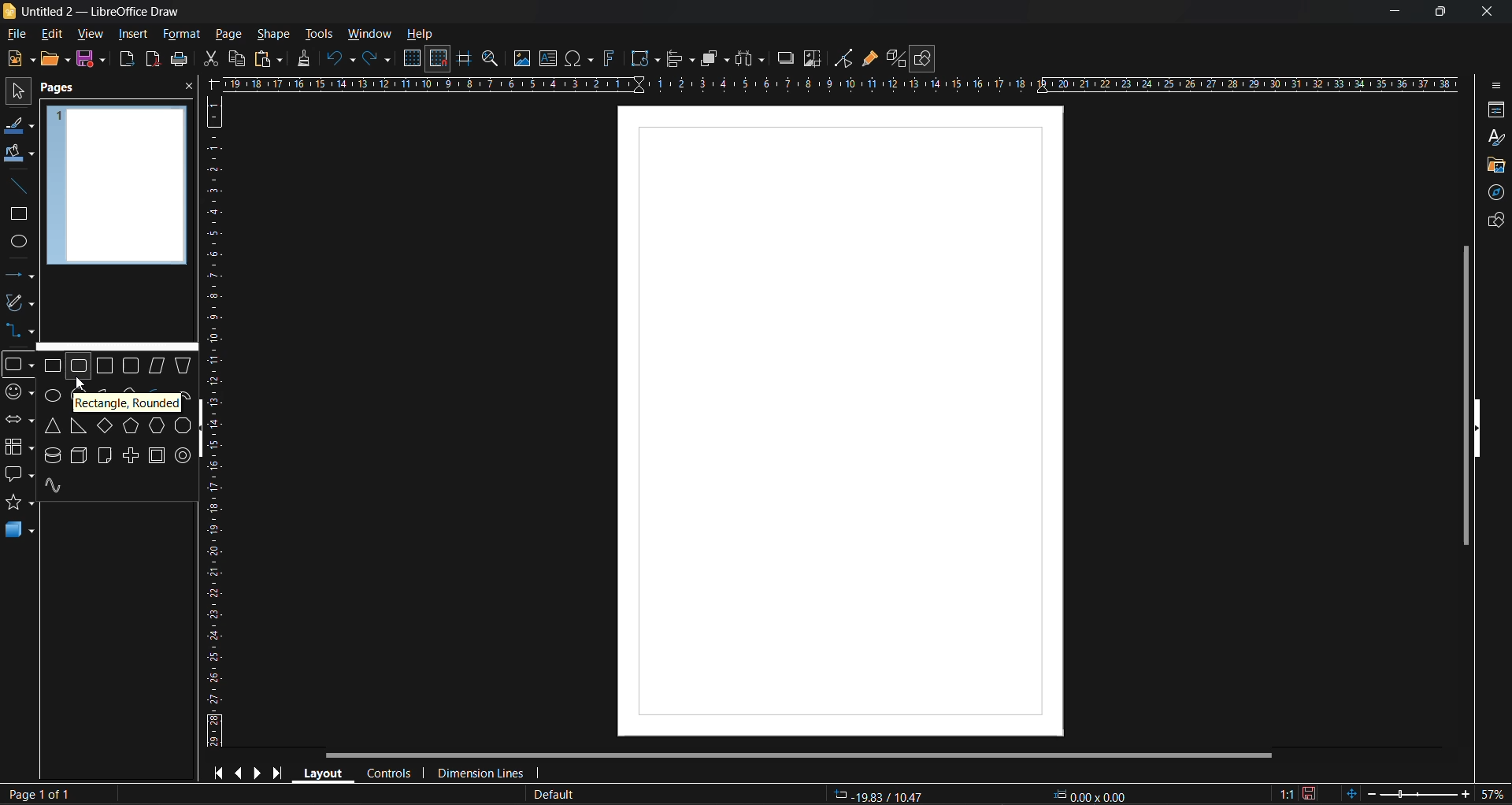 Image resolution: width=1512 pixels, height=805 pixels. Describe the element at coordinates (83, 386) in the screenshot. I see `cursor` at that location.